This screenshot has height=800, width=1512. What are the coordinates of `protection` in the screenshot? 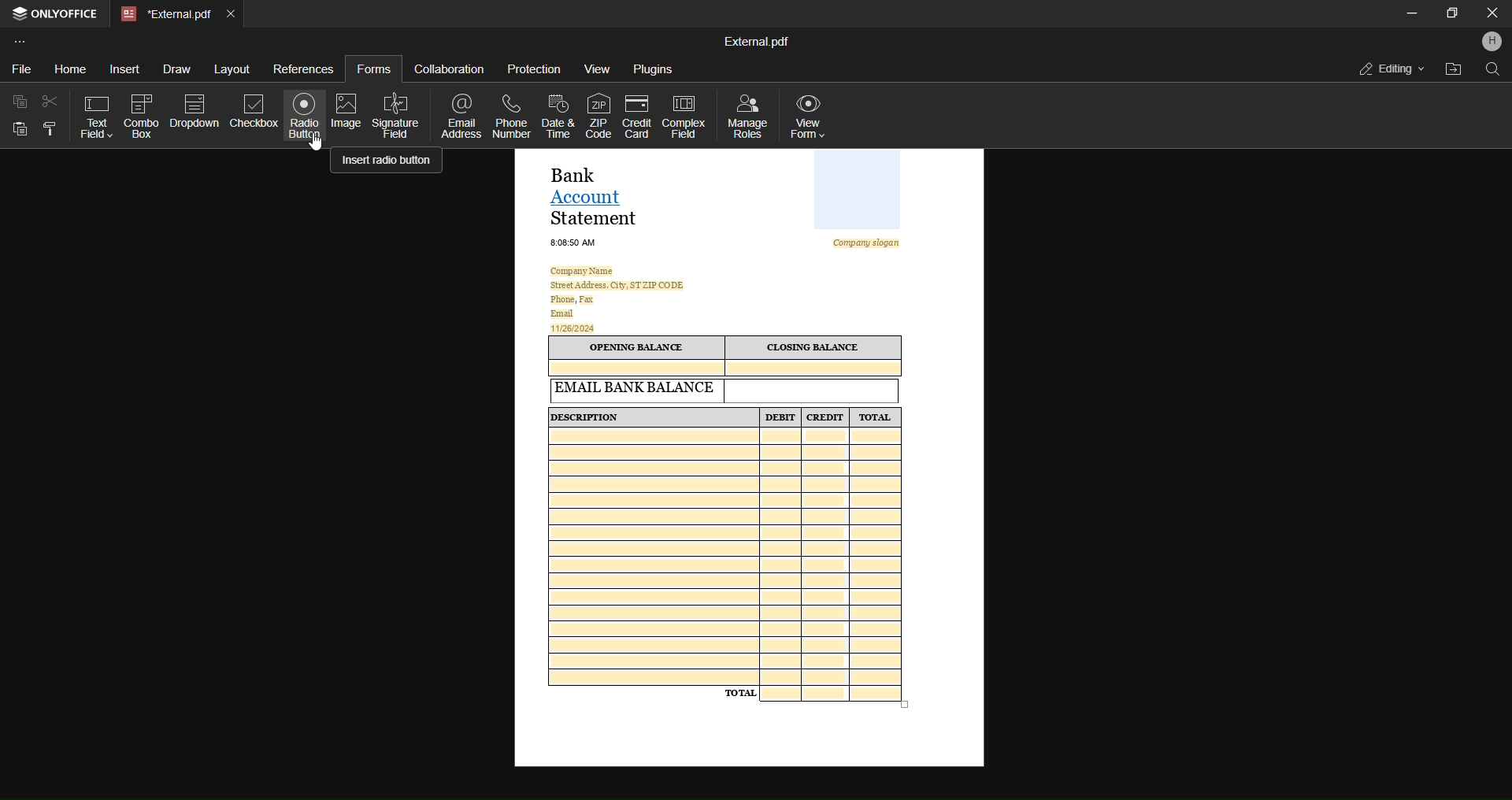 It's located at (535, 71).